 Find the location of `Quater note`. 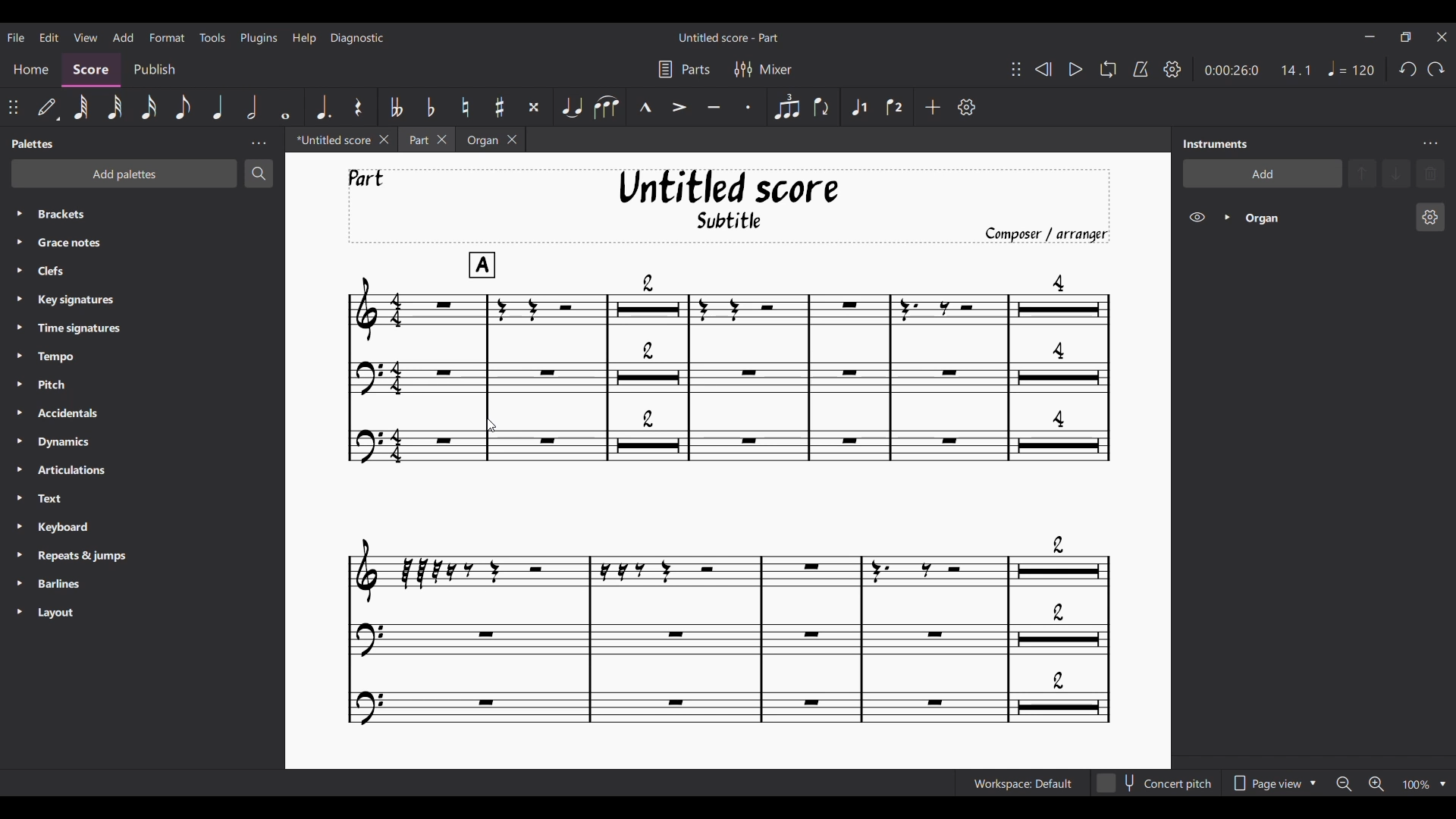

Quater note is located at coordinates (218, 106).